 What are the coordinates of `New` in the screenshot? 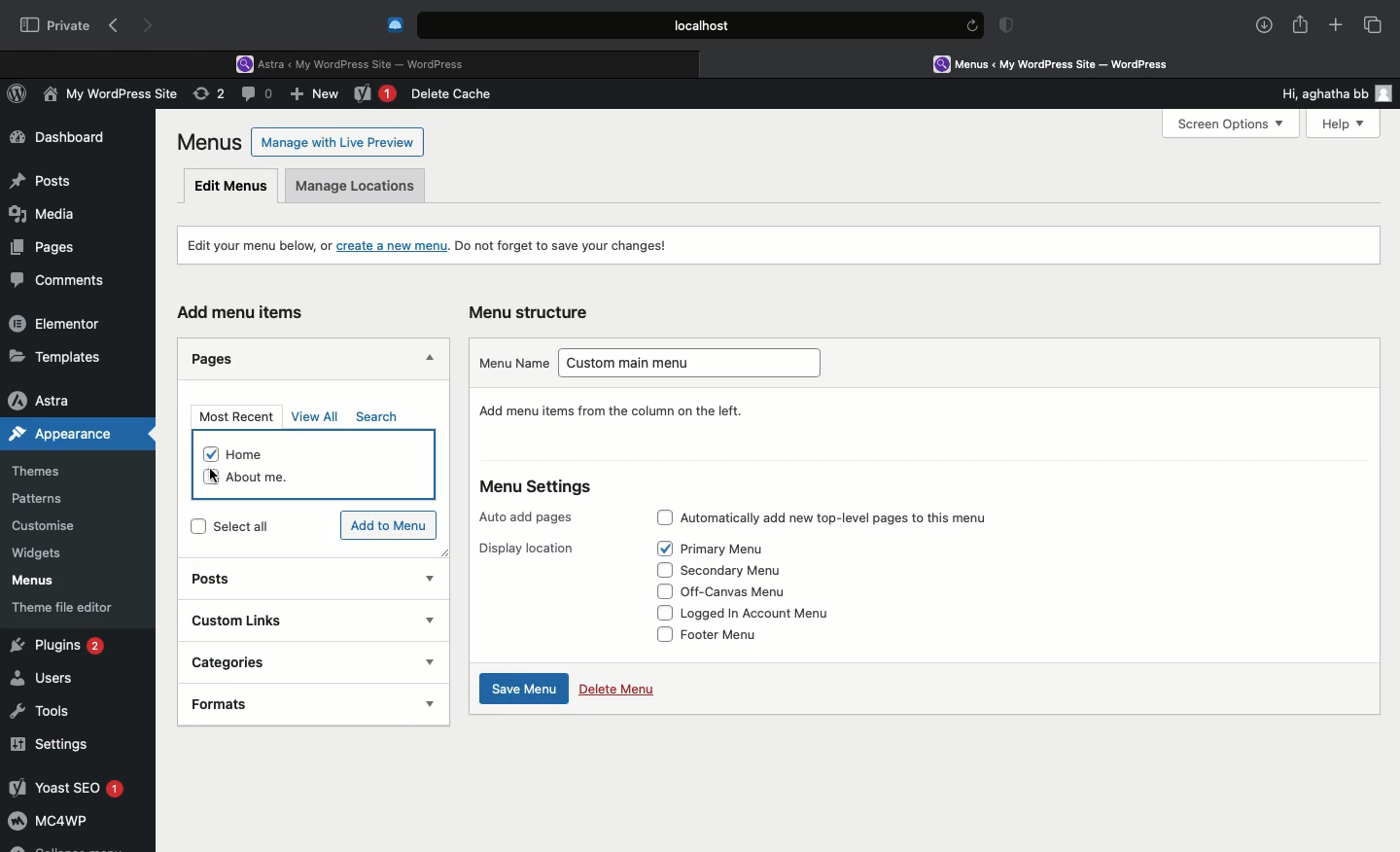 It's located at (375, 95).